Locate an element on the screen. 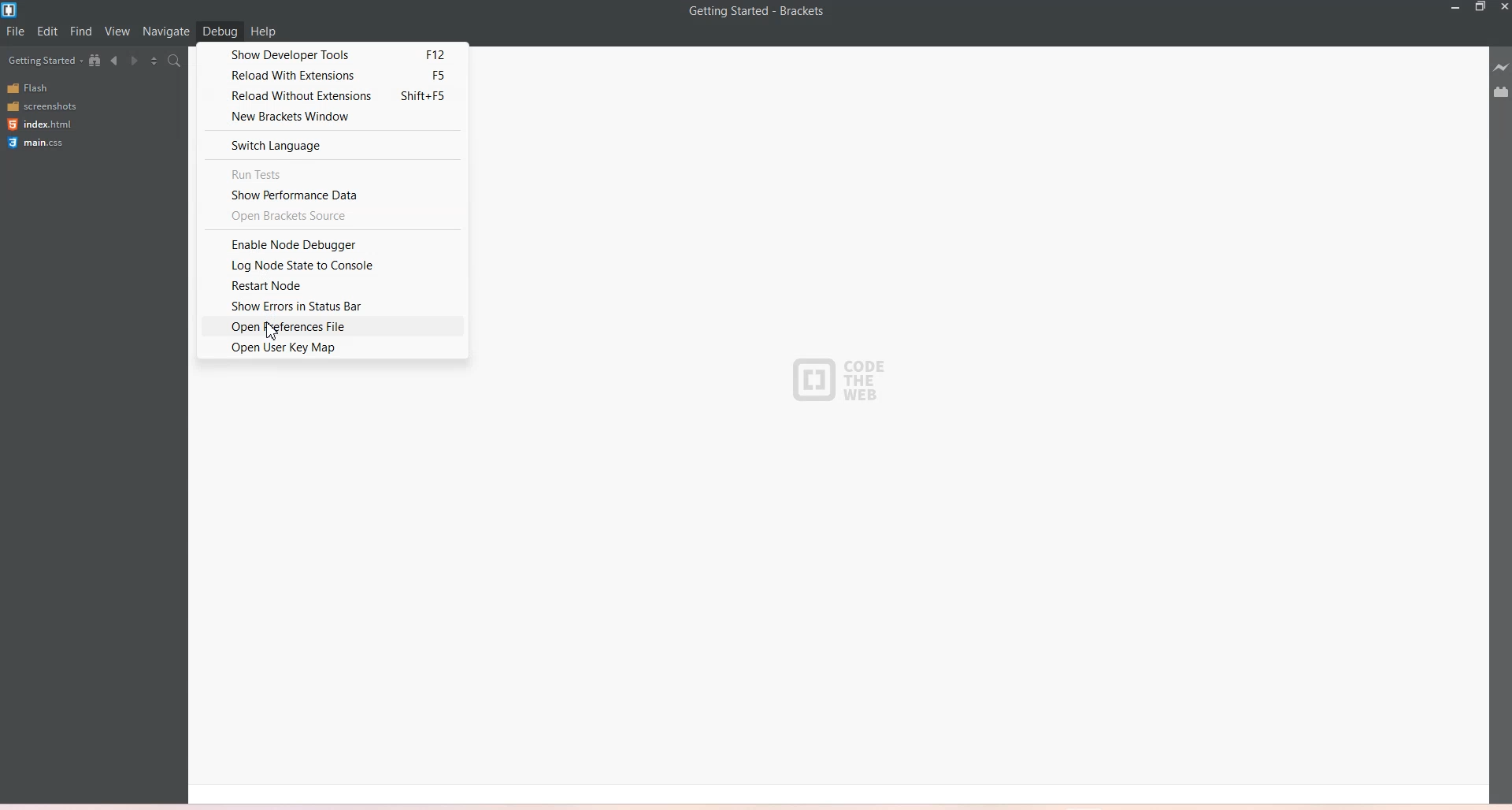 The image size is (1512, 810). Help is located at coordinates (263, 32).